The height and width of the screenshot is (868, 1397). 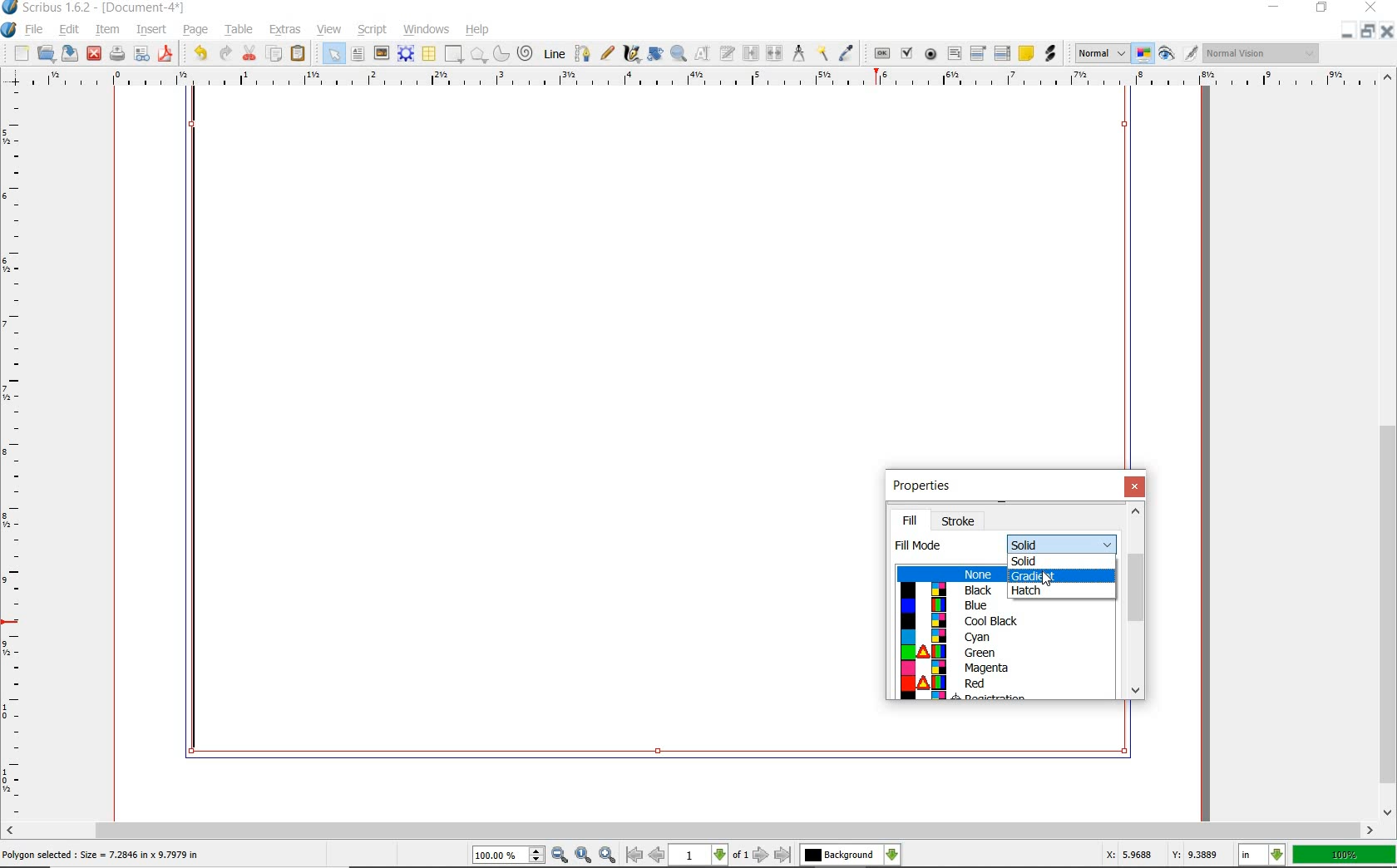 What do you see at coordinates (847, 51) in the screenshot?
I see `eye dropper` at bounding box center [847, 51].